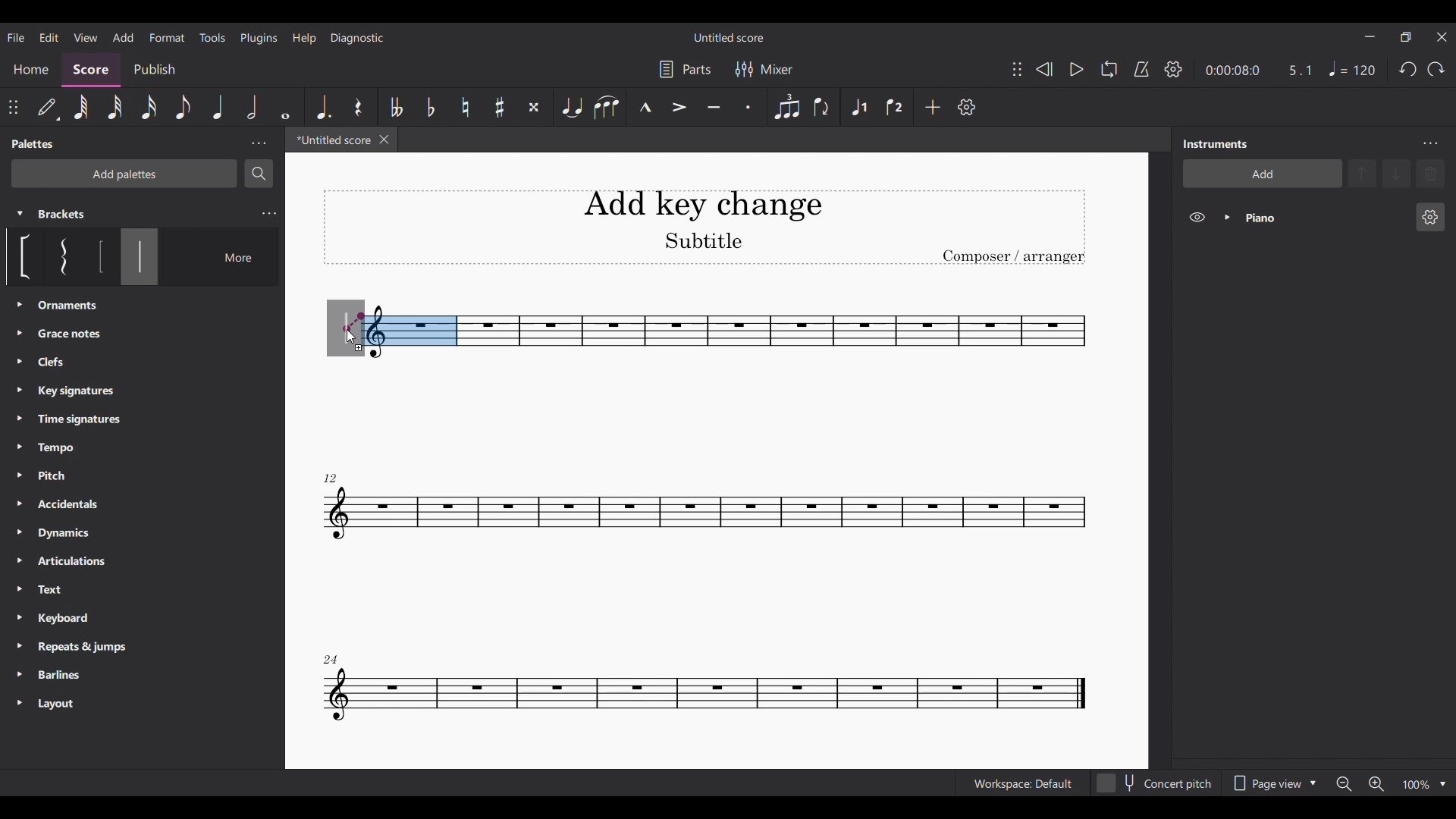 The image size is (1456, 819). Describe the element at coordinates (124, 174) in the screenshot. I see `Add palettes` at that location.